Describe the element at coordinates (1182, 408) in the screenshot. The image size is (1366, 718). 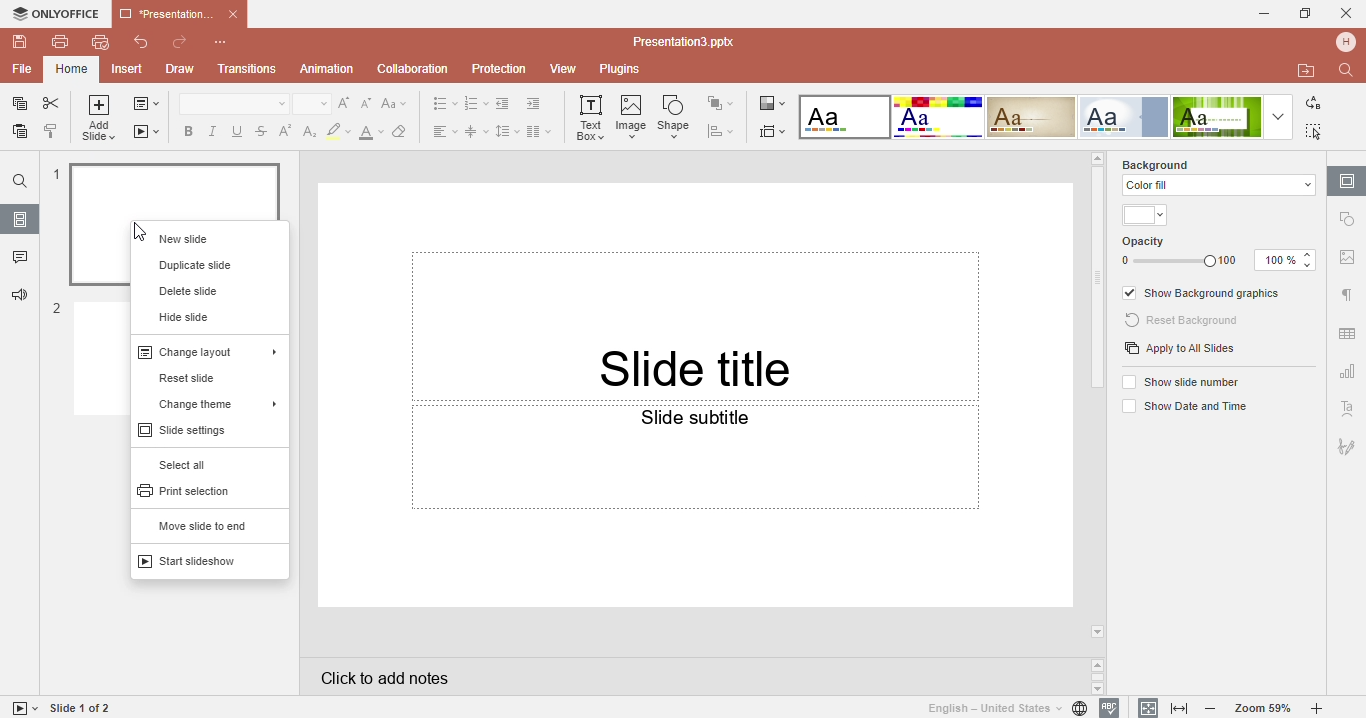
I see `Show date and time` at that location.